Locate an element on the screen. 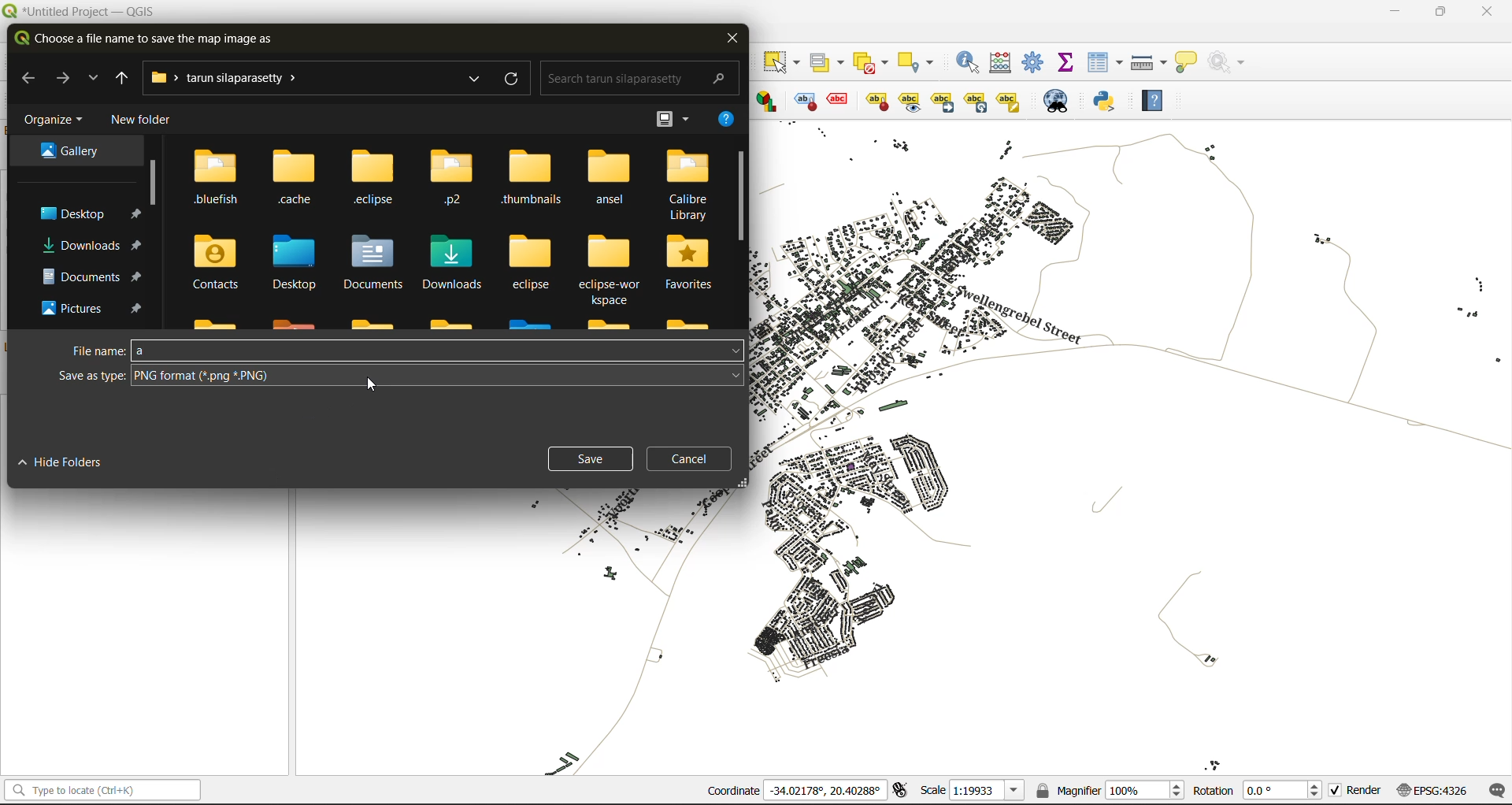  maximize is located at coordinates (1441, 12).